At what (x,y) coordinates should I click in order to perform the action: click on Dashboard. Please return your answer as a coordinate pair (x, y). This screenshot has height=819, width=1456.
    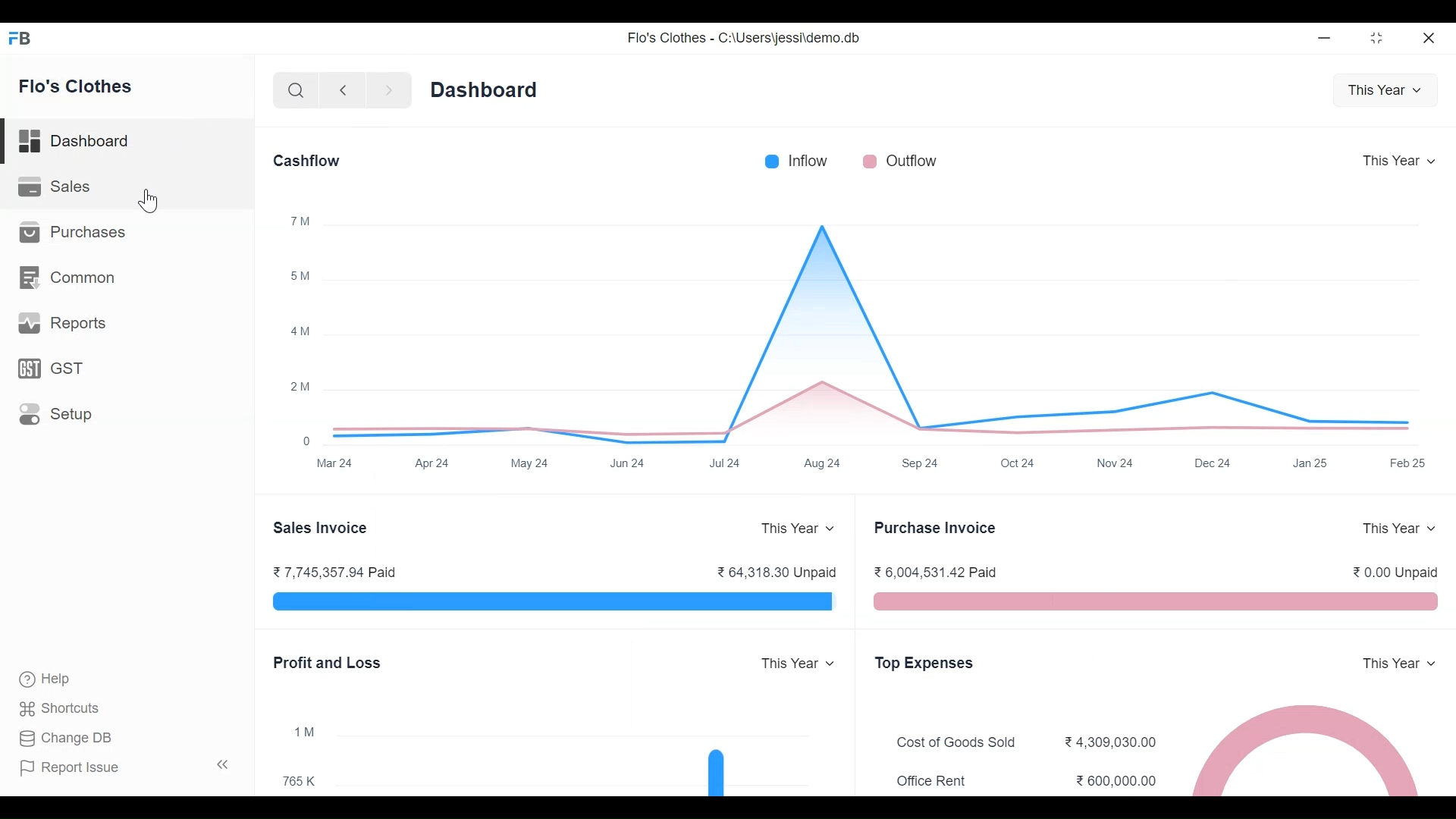
    Looking at the image, I should click on (487, 89).